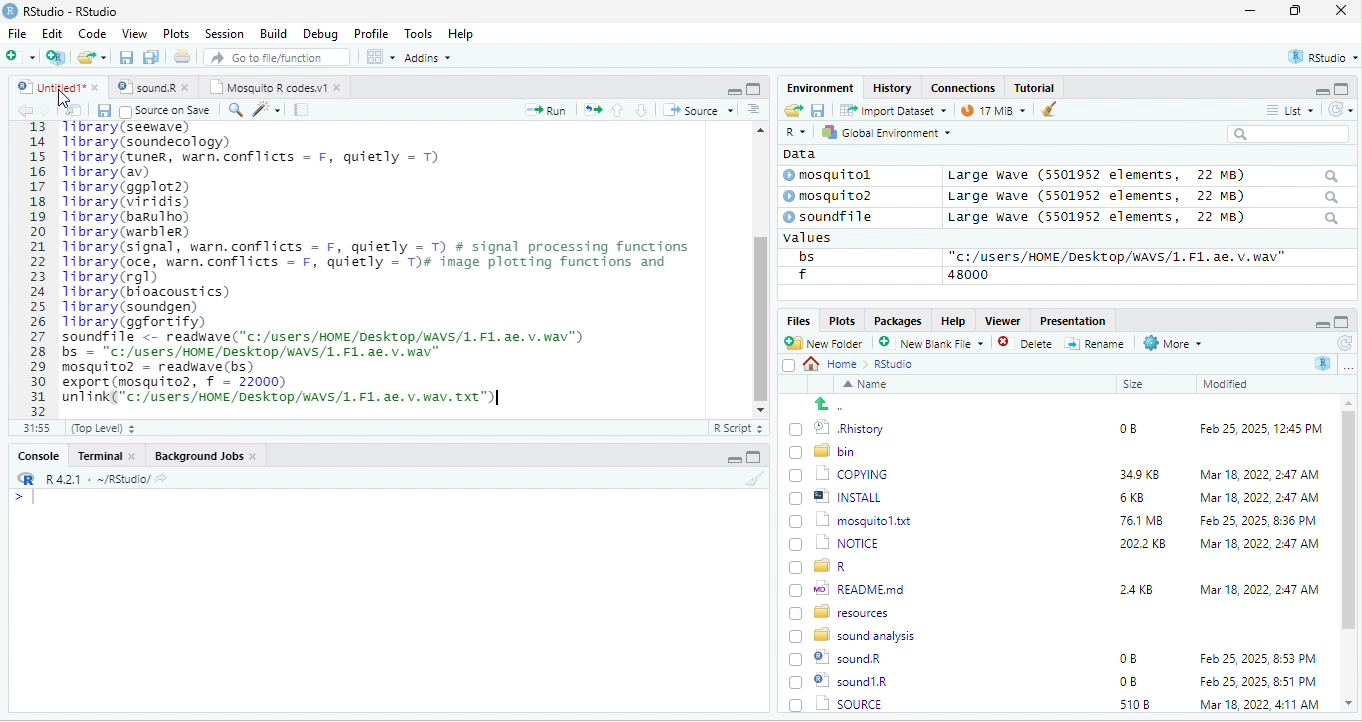 This screenshot has width=1362, height=722. Describe the element at coordinates (371, 34) in the screenshot. I see `Profile` at that location.